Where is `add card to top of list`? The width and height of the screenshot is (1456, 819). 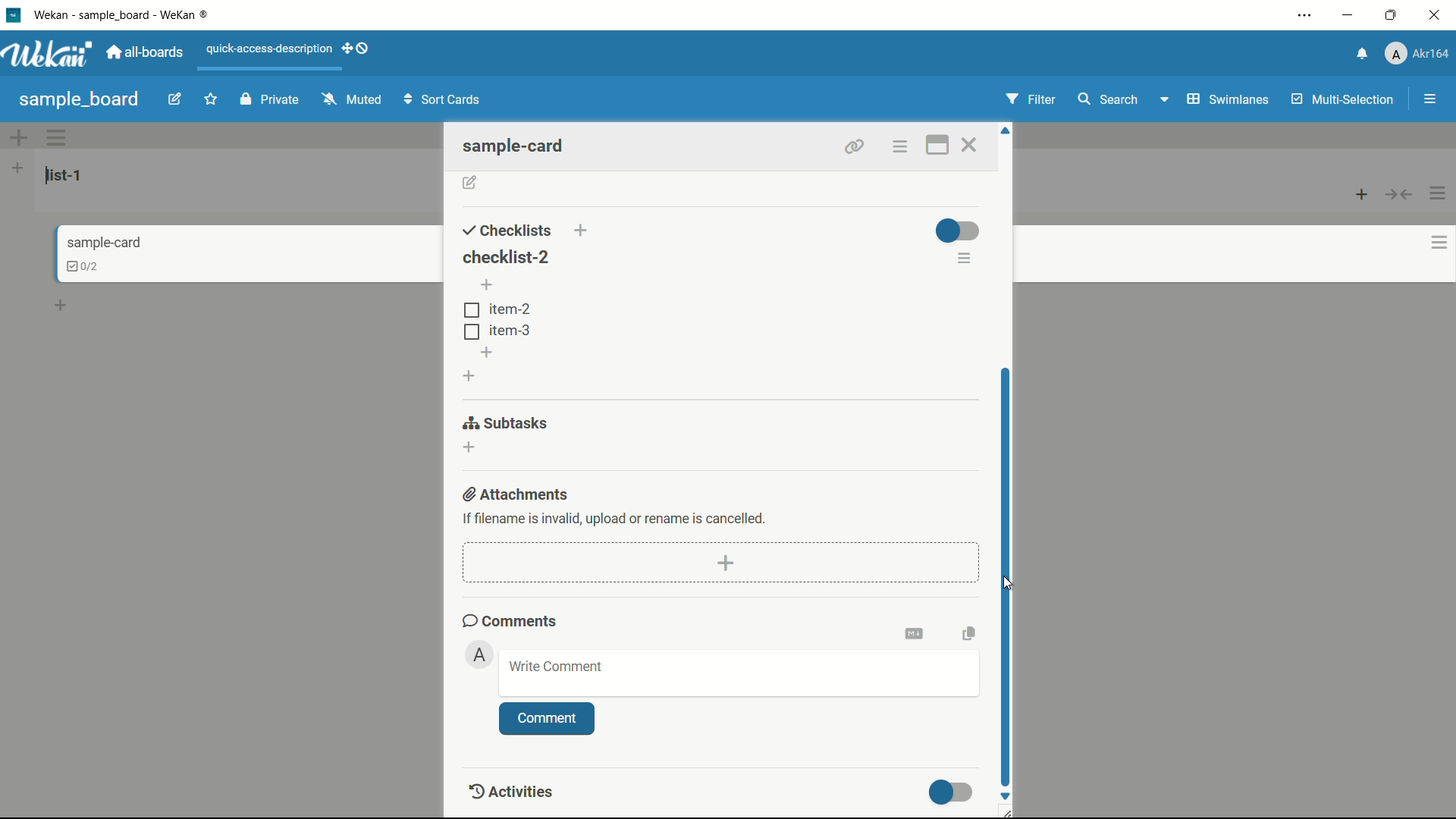 add card to top of list is located at coordinates (1363, 196).